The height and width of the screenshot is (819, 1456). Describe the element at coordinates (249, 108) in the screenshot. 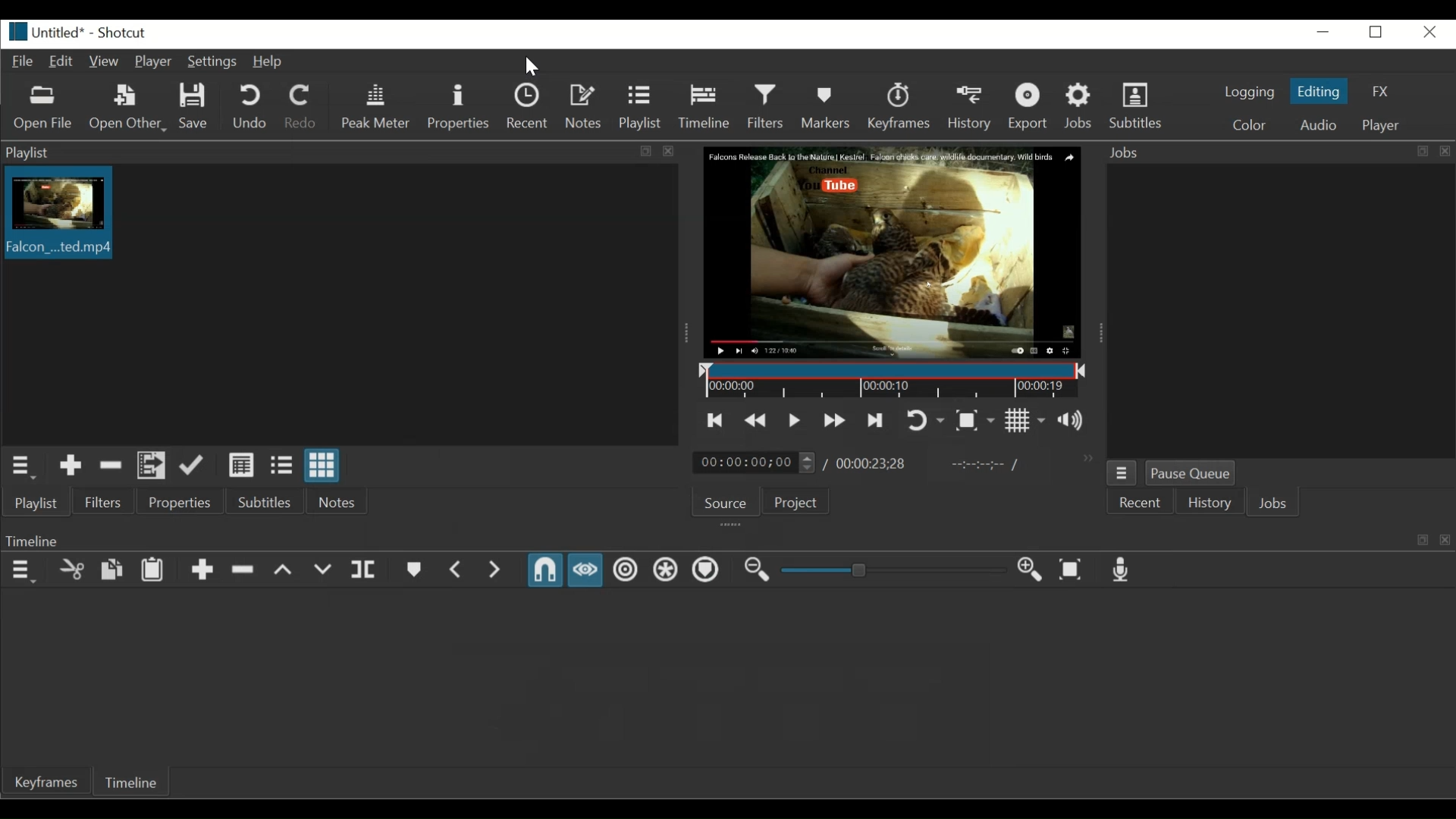

I see `Undo` at that location.